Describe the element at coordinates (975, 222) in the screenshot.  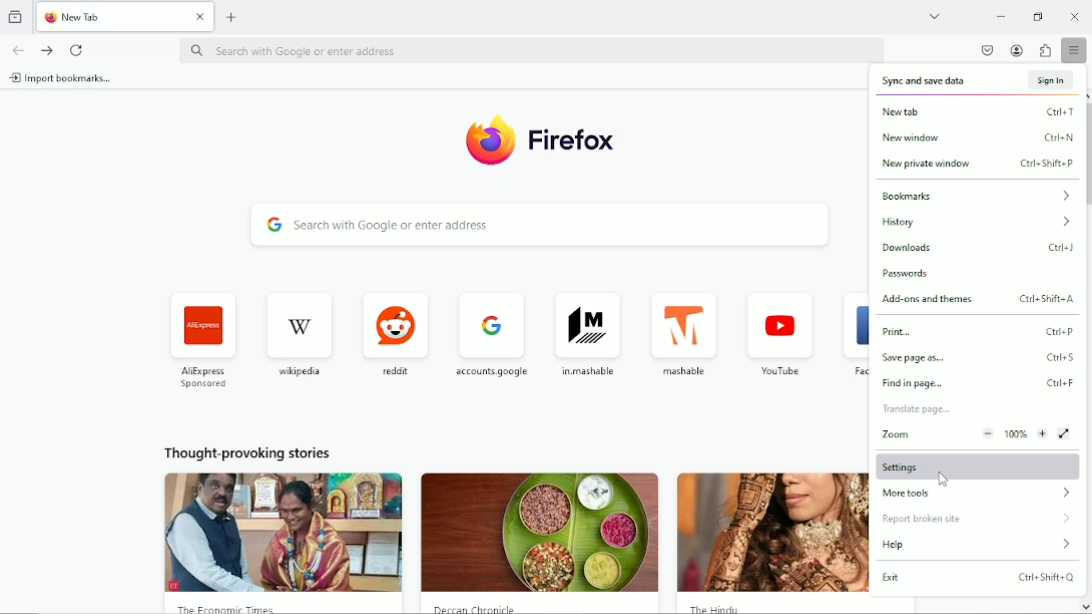
I see `history` at that location.